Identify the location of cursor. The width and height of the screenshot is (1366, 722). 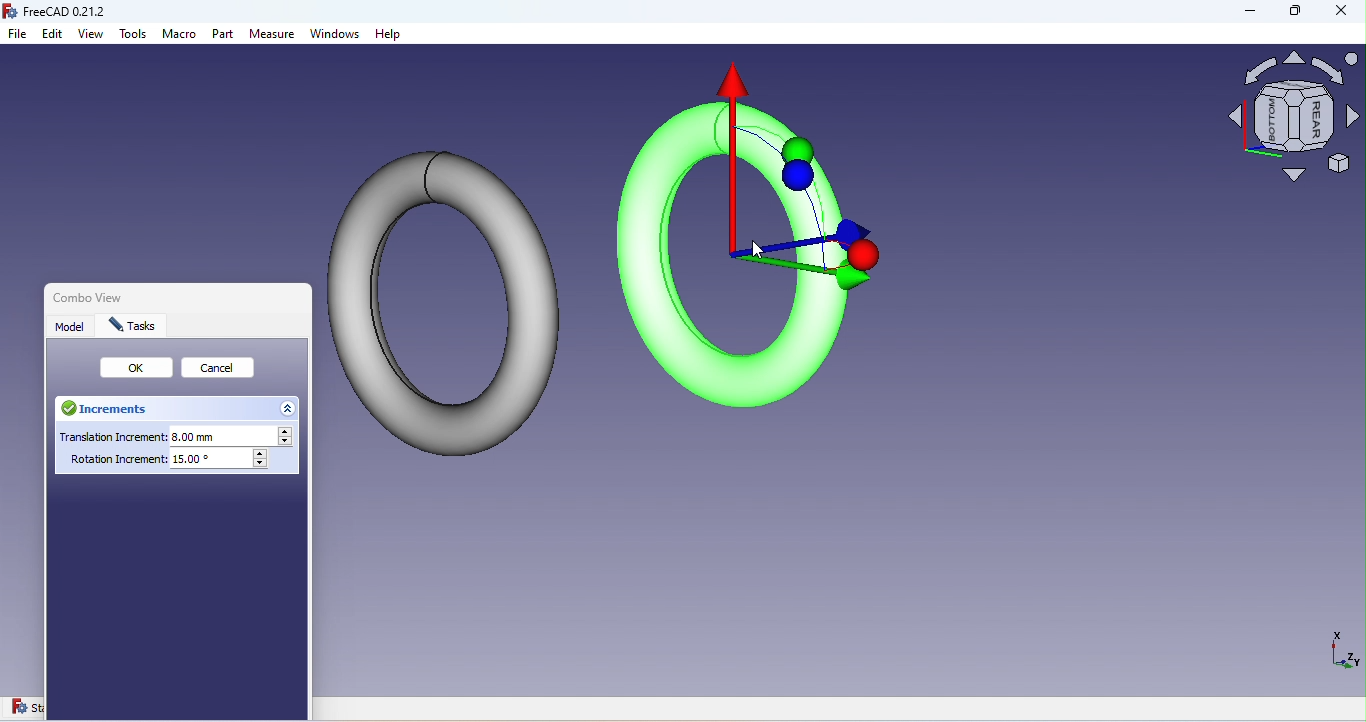
(760, 253).